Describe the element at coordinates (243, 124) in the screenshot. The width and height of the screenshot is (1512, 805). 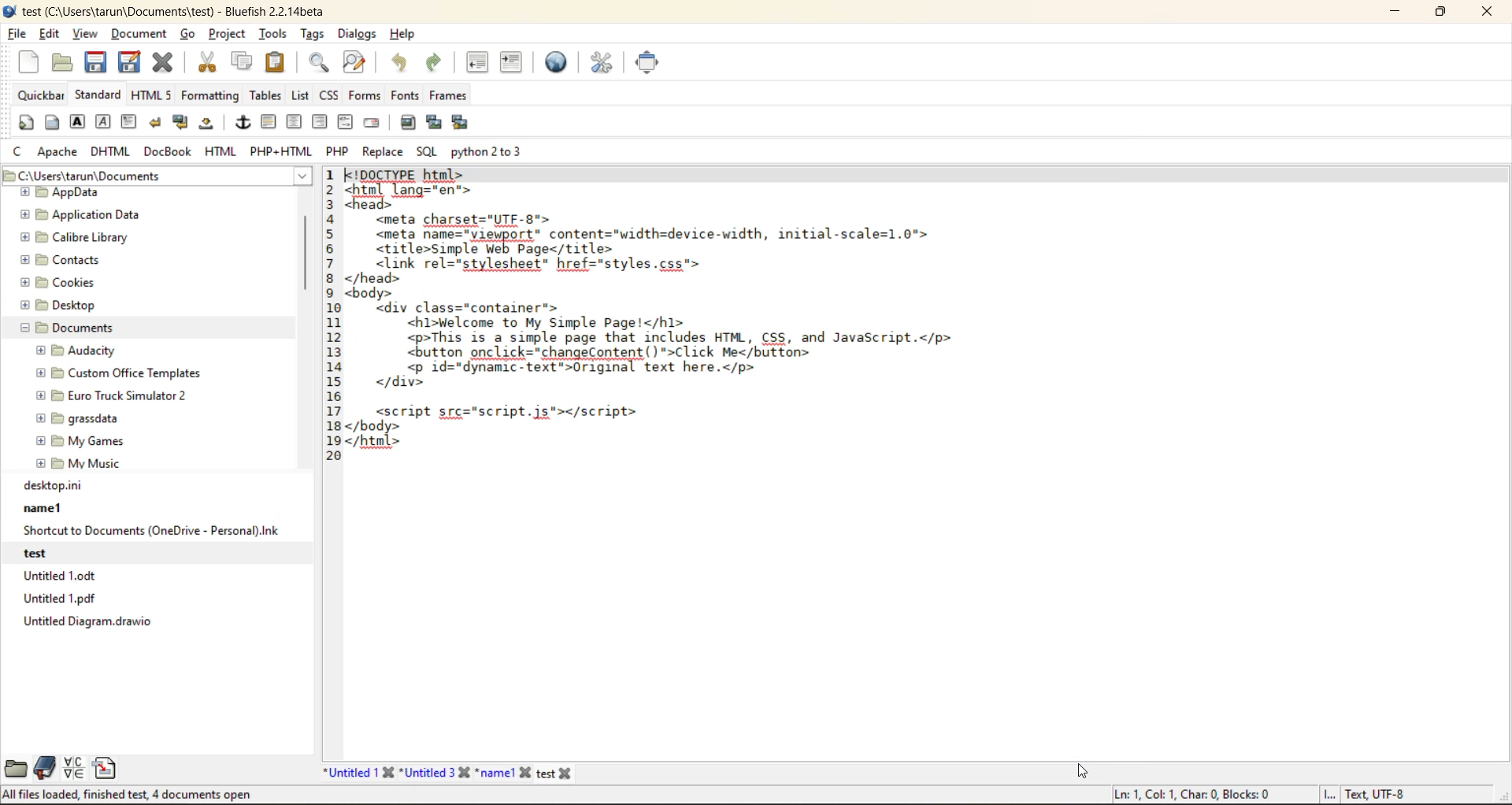
I see `anchor` at that location.